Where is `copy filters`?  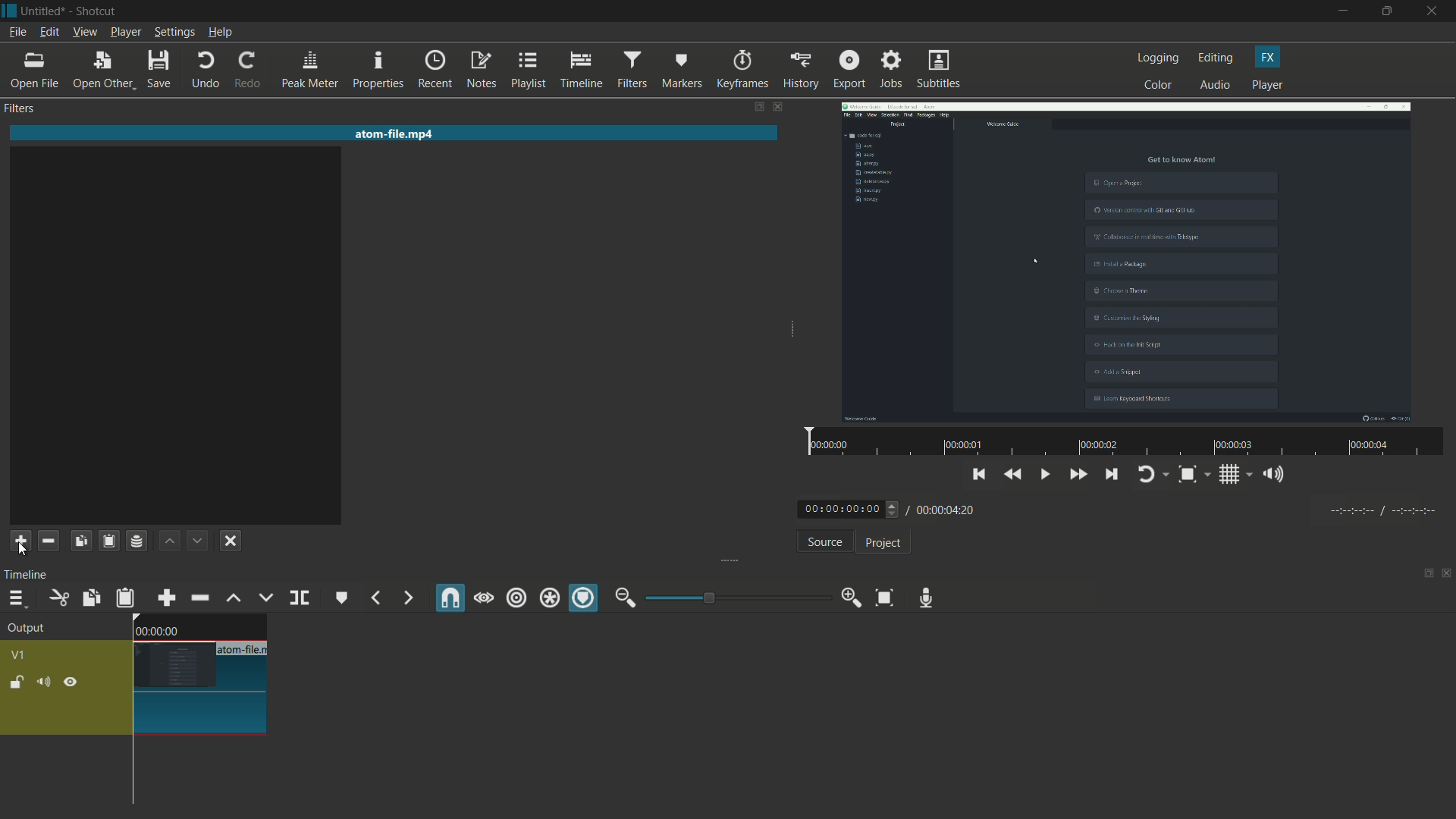
copy filters is located at coordinates (80, 541).